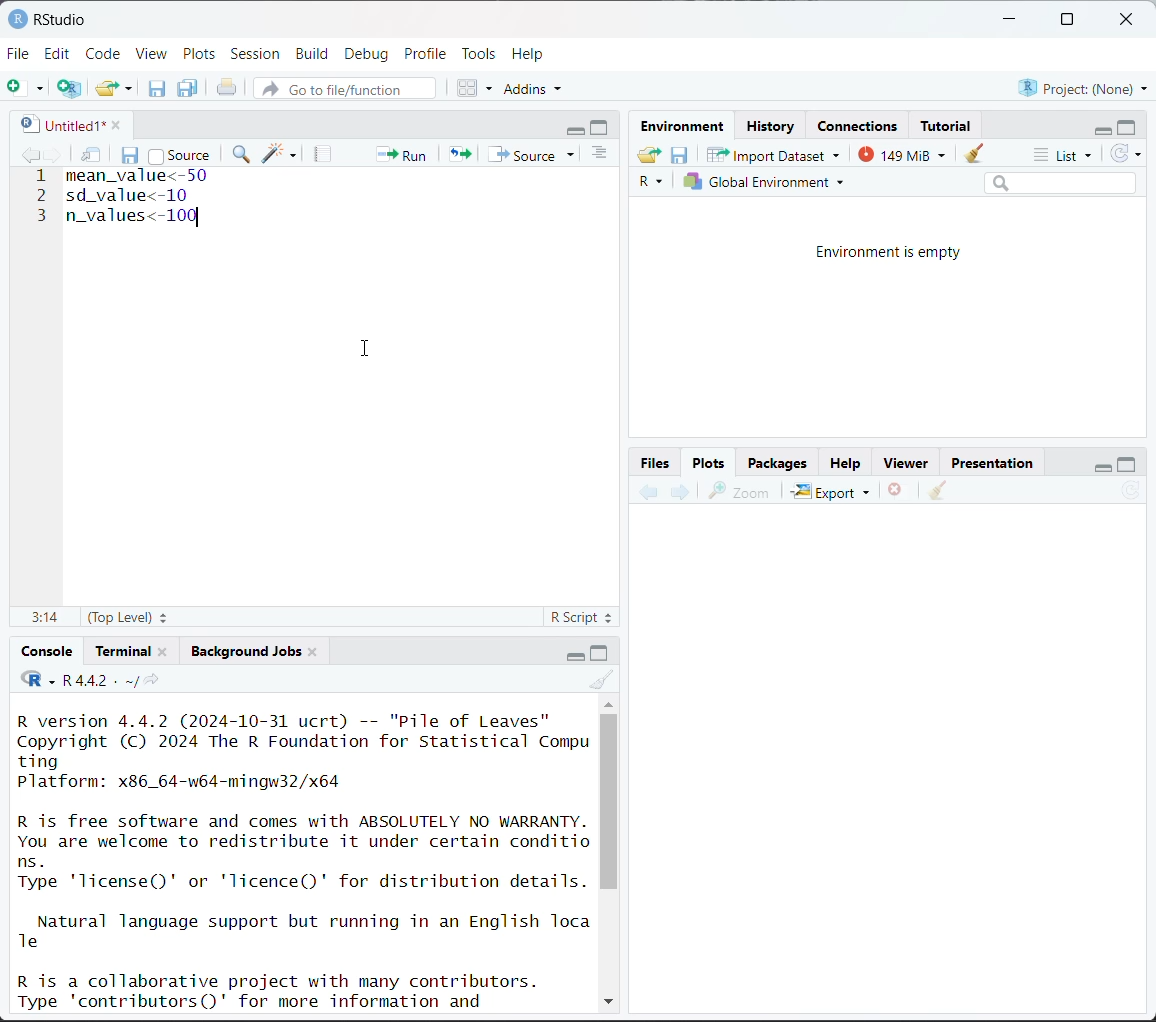 This screenshot has width=1156, height=1022. Describe the element at coordinates (709, 461) in the screenshot. I see `Plots` at that location.